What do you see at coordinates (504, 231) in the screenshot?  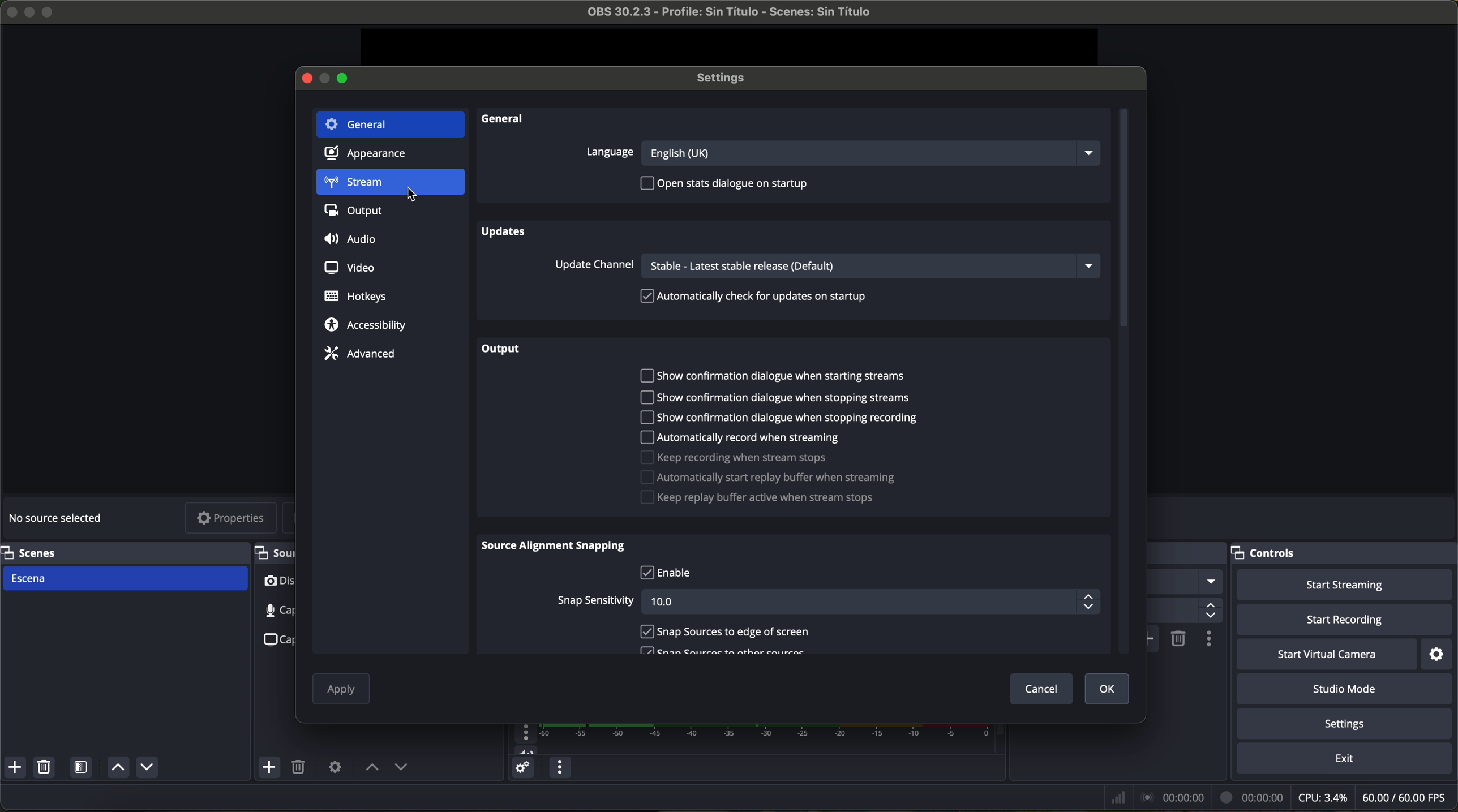 I see `updates` at bounding box center [504, 231].